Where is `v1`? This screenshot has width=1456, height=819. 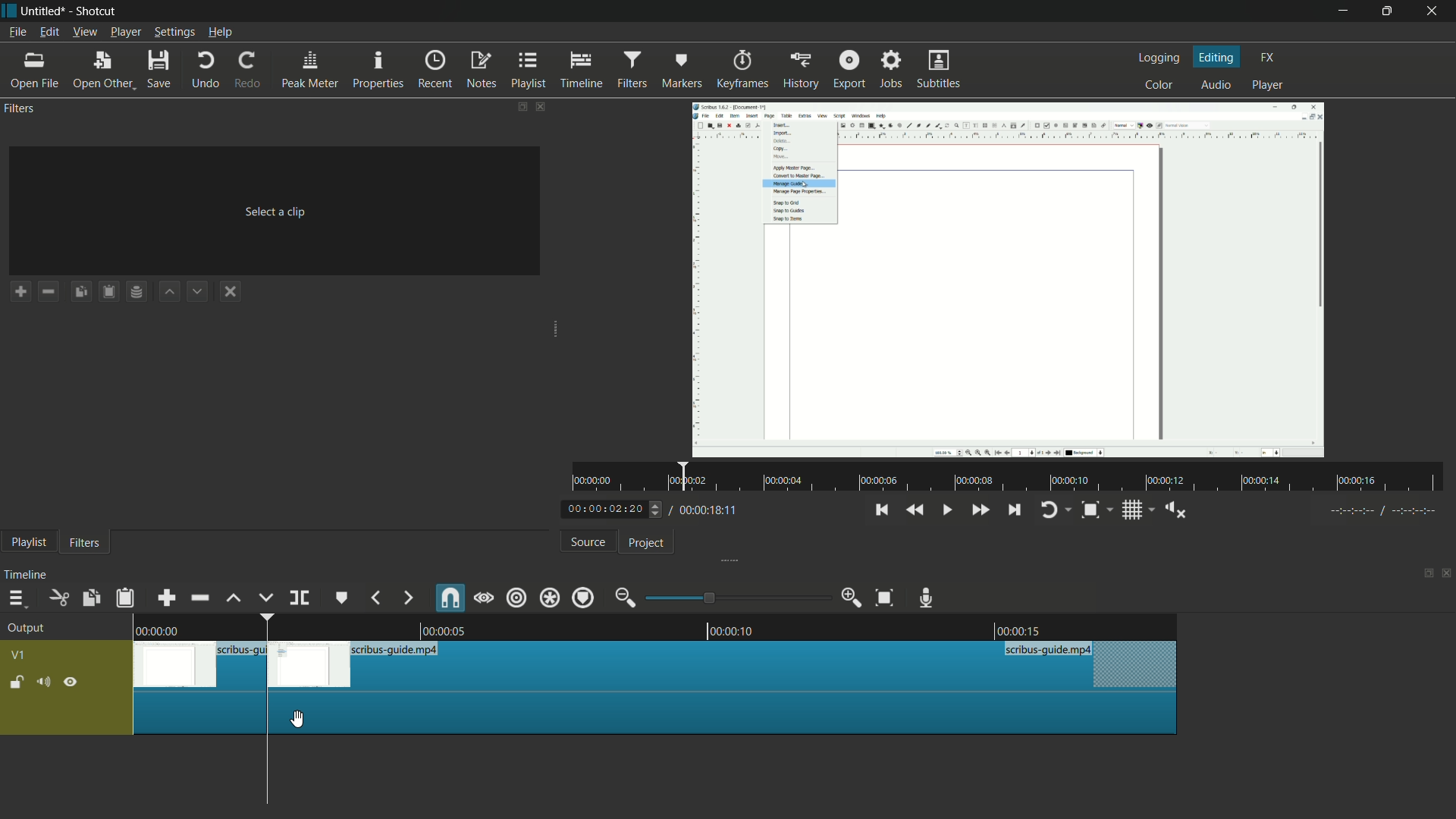
v1 is located at coordinates (19, 655).